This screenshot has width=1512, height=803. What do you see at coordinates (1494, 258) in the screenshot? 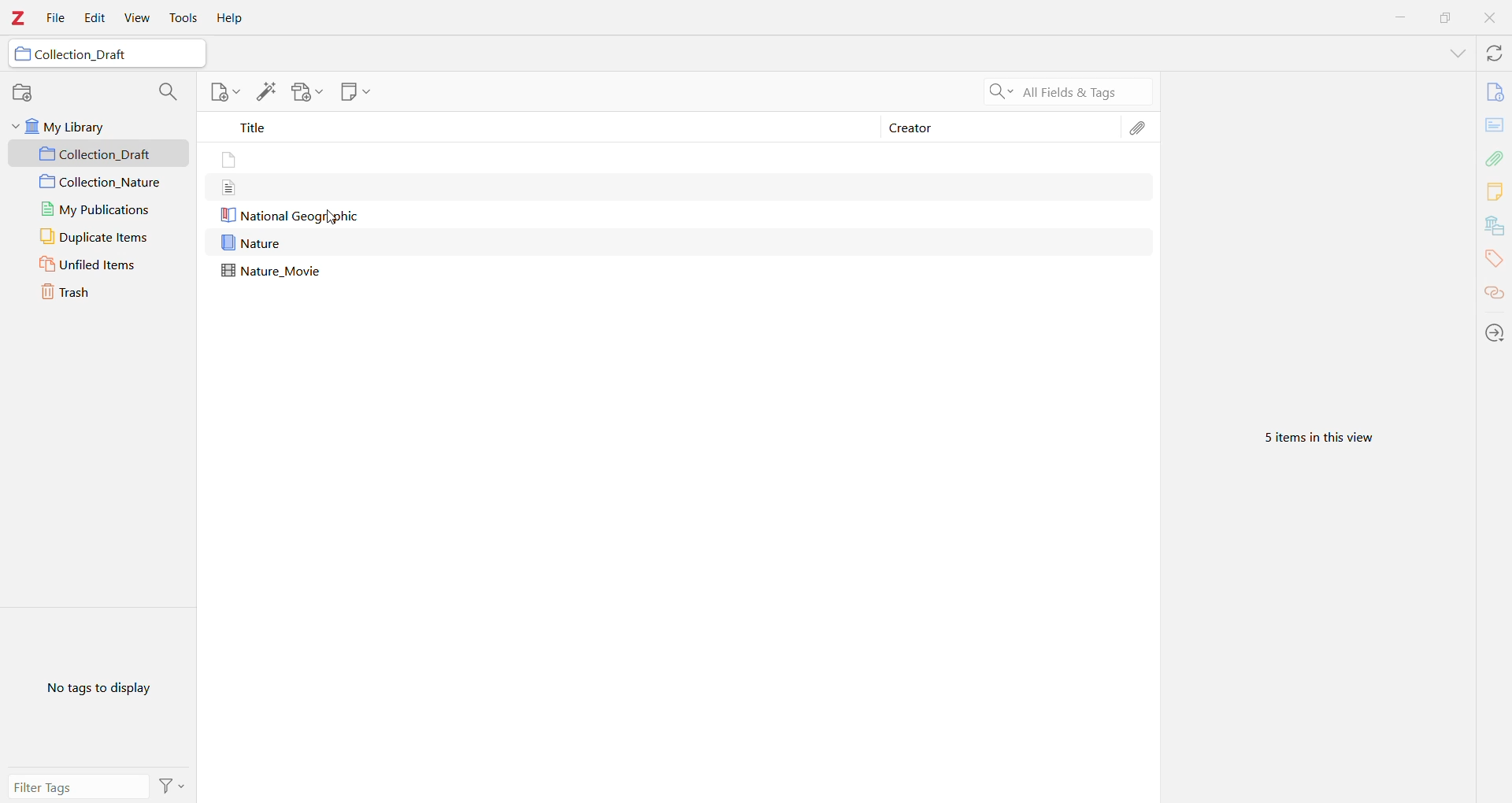
I see `Tags` at bounding box center [1494, 258].